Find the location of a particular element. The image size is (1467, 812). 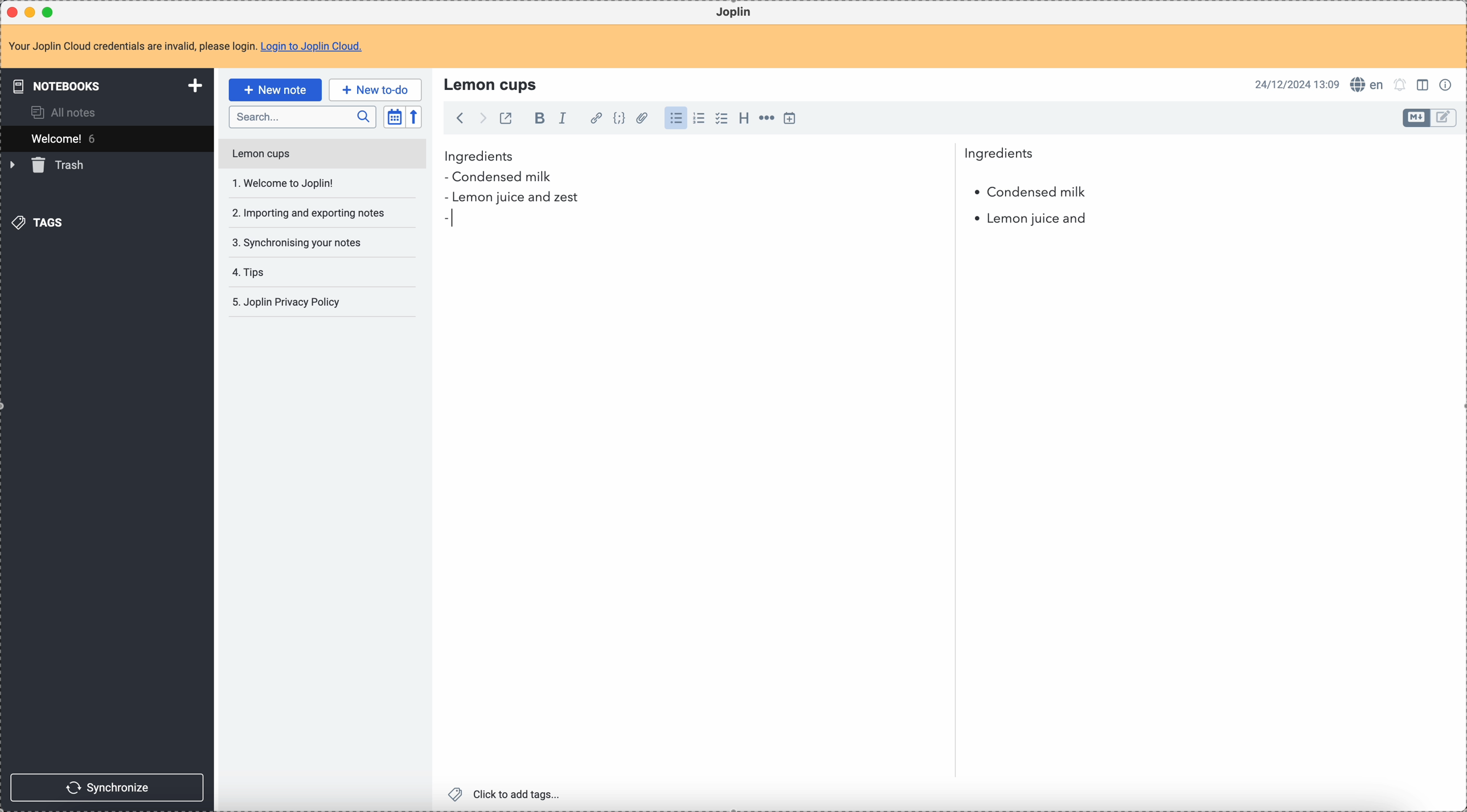

toggle edit layout is located at coordinates (1444, 118).